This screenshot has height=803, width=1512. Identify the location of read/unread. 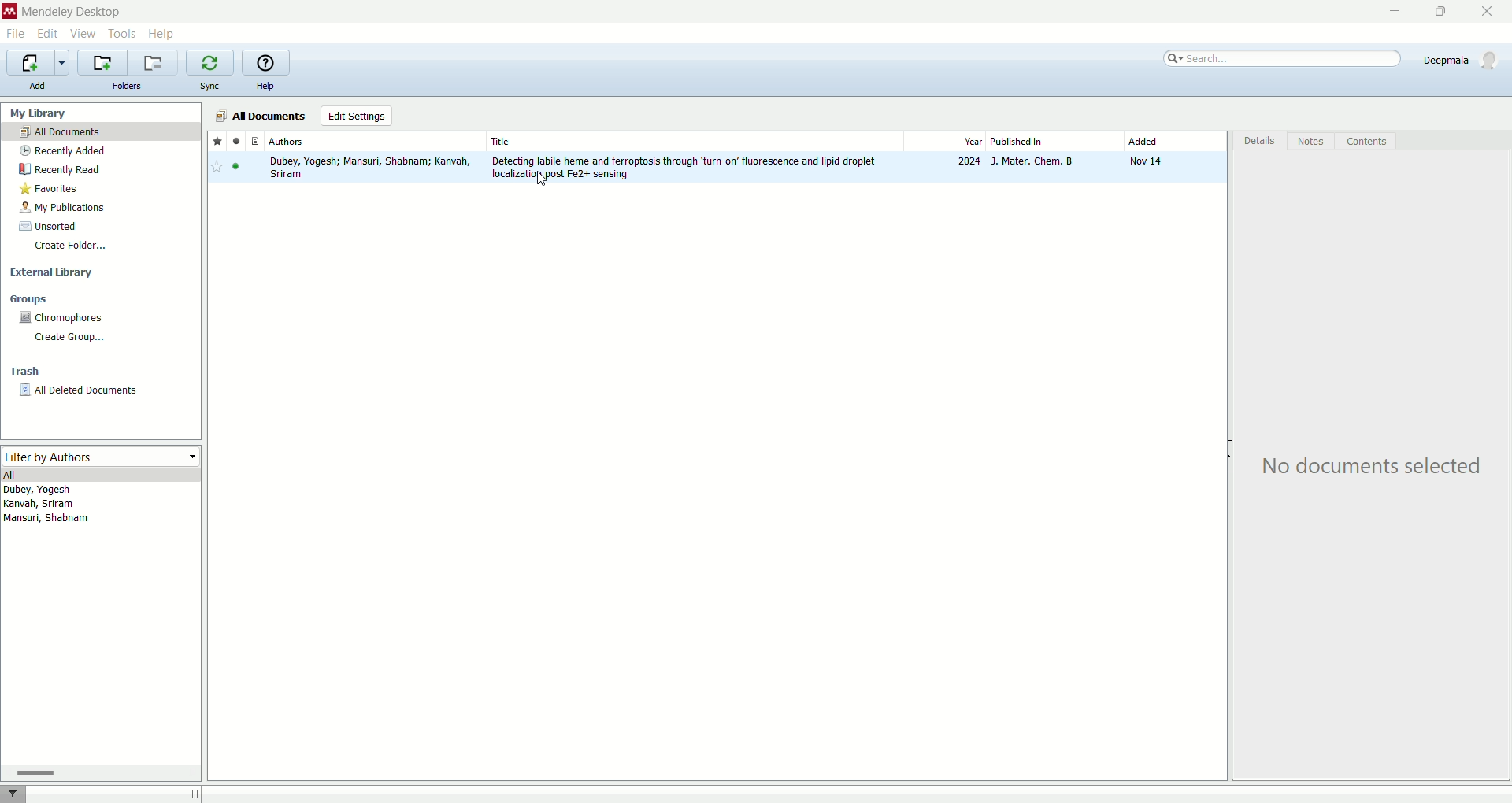
(234, 141).